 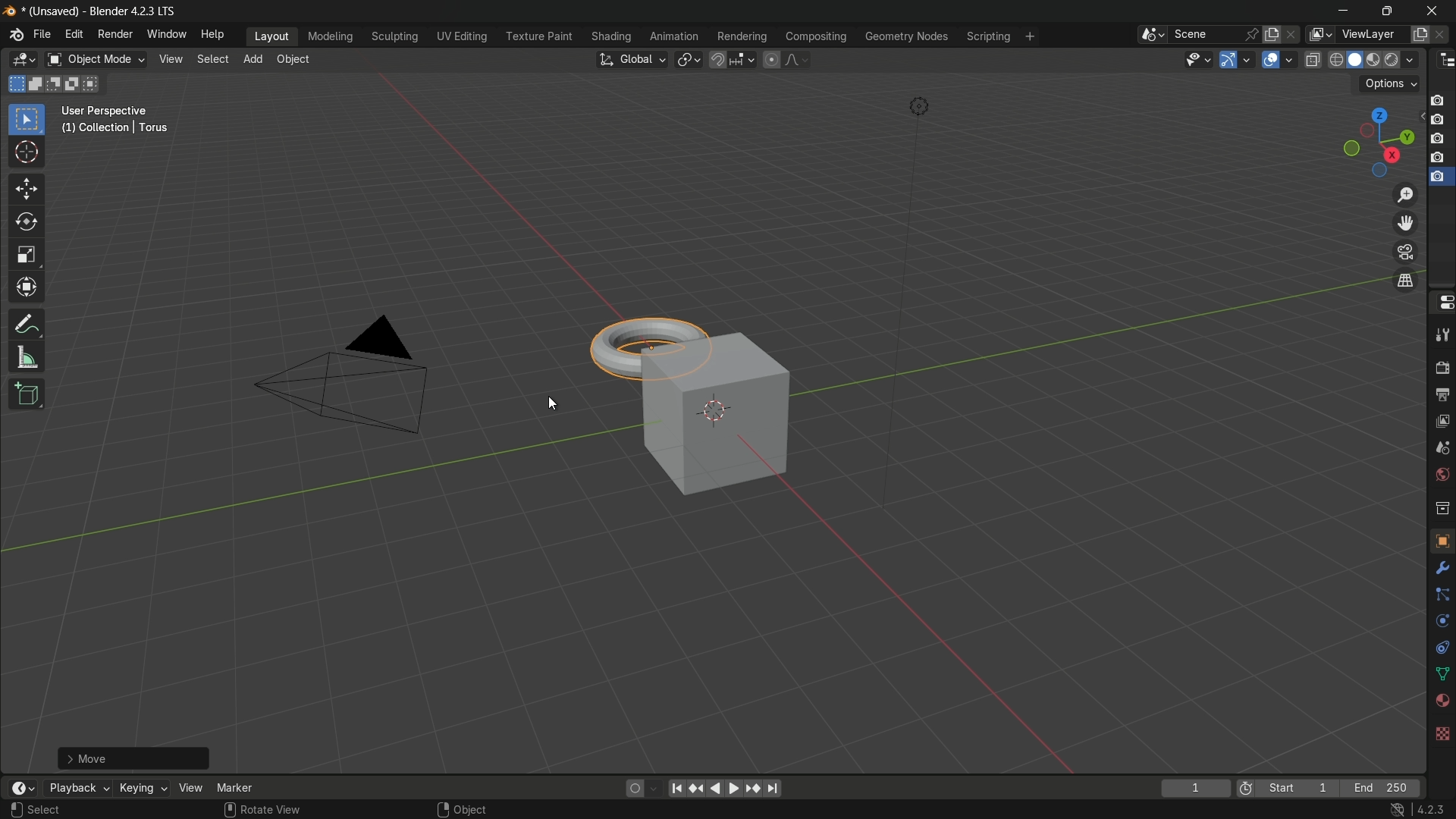 What do you see at coordinates (1288, 58) in the screenshot?
I see `overlays` at bounding box center [1288, 58].